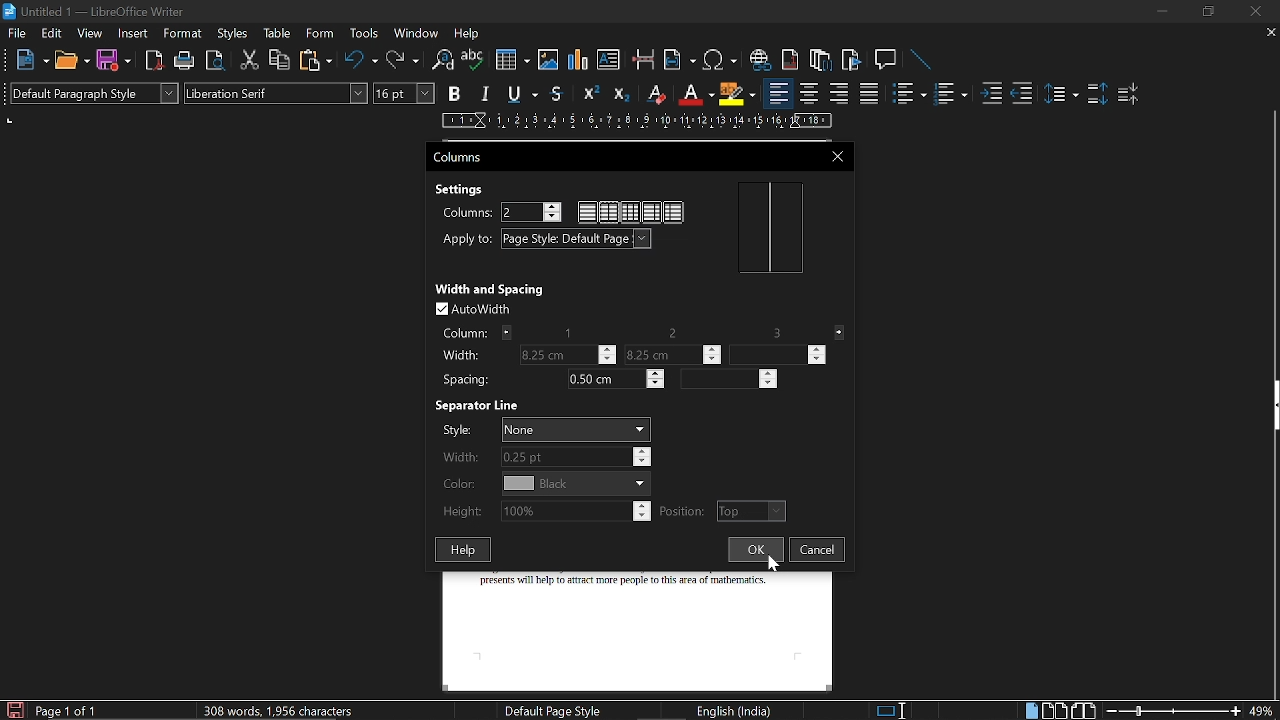 This screenshot has height=720, width=1280. I want to click on Find and replace, so click(443, 62).